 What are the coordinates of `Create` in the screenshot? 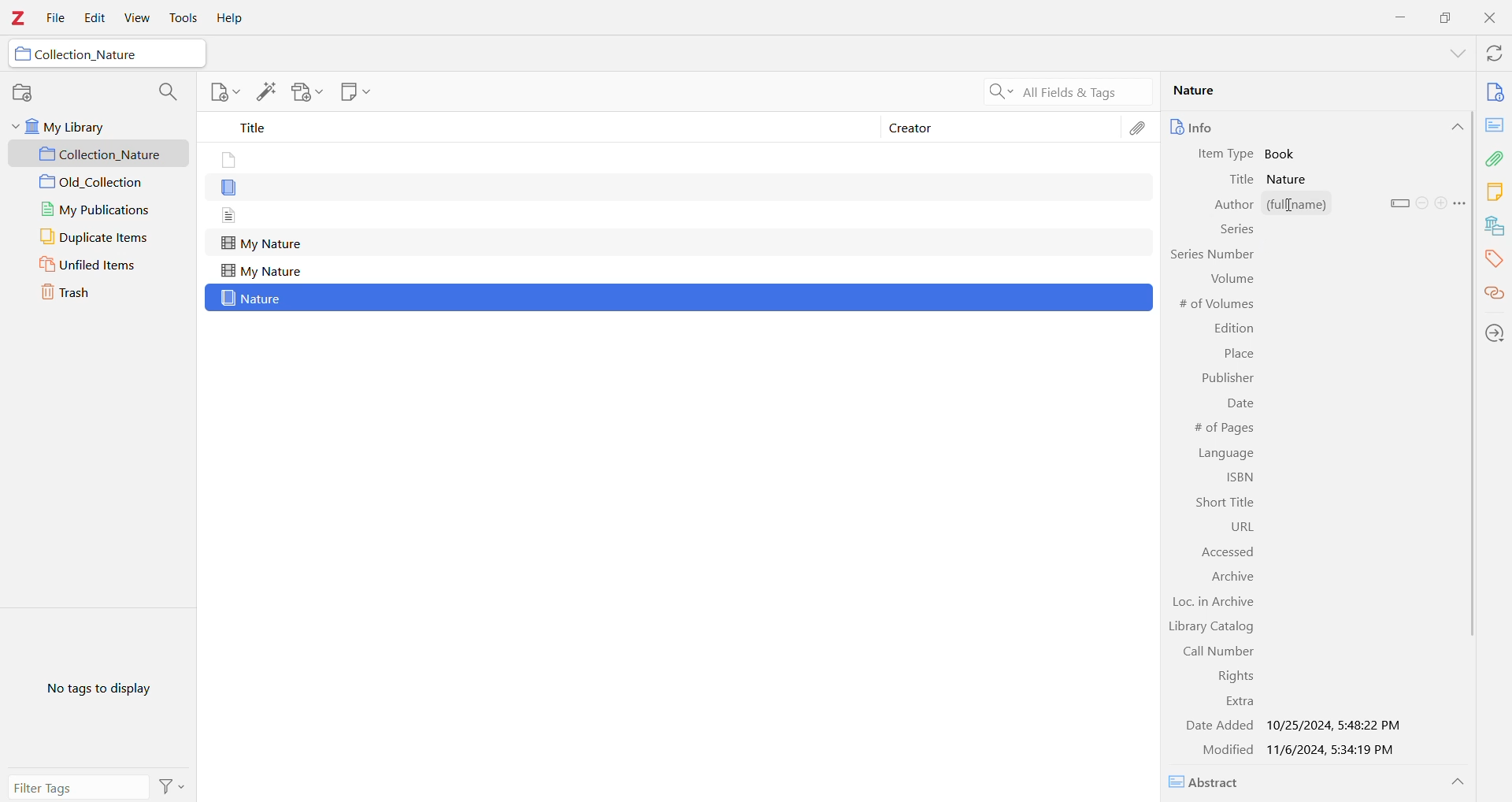 It's located at (1440, 202).